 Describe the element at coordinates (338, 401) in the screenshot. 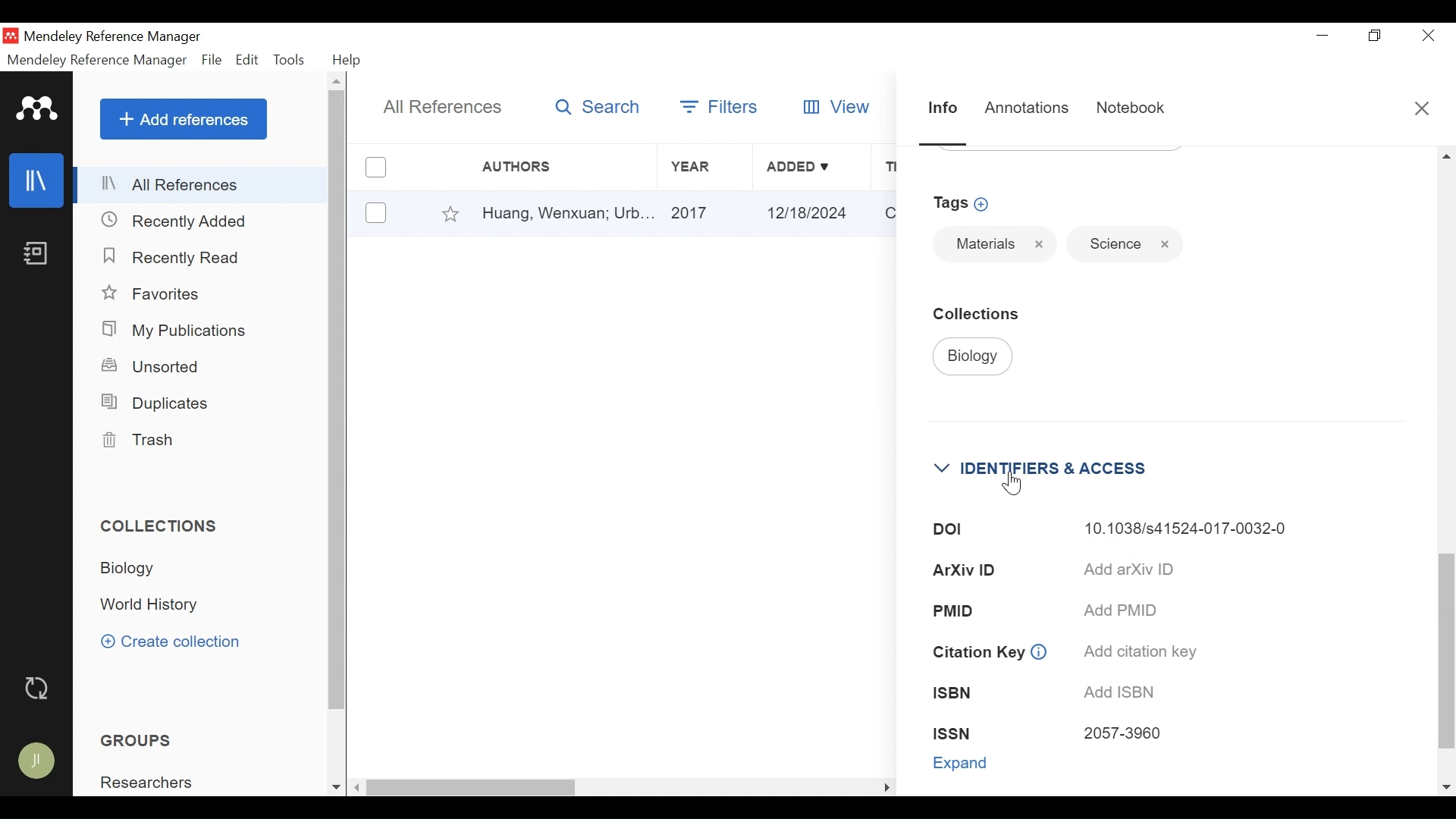

I see `Vertical Scroll bar` at that location.